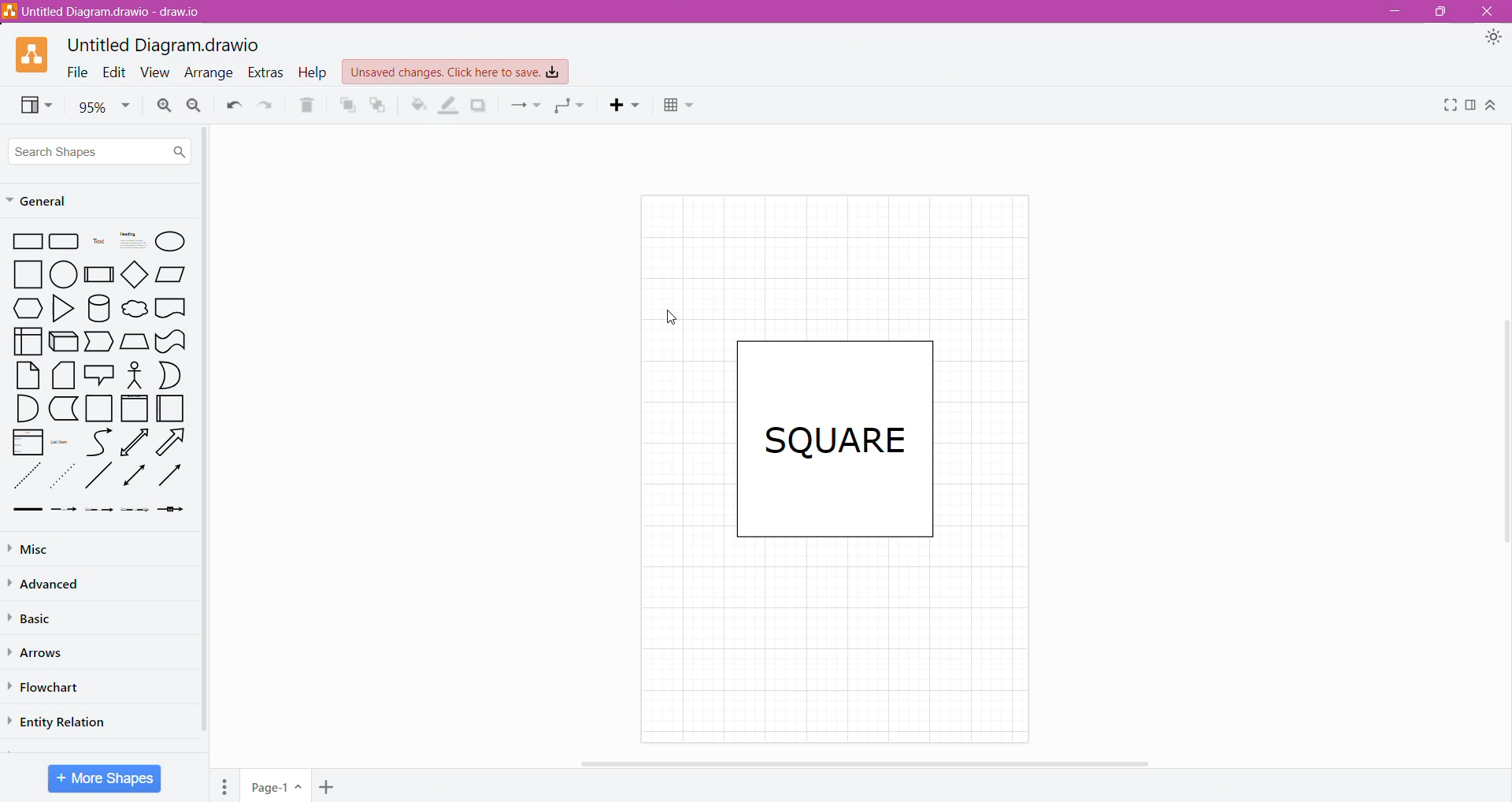 The height and width of the screenshot is (802, 1512). Describe the element at coordinates (98, 477) in the screenshot. I see `diagonal line` at that location.